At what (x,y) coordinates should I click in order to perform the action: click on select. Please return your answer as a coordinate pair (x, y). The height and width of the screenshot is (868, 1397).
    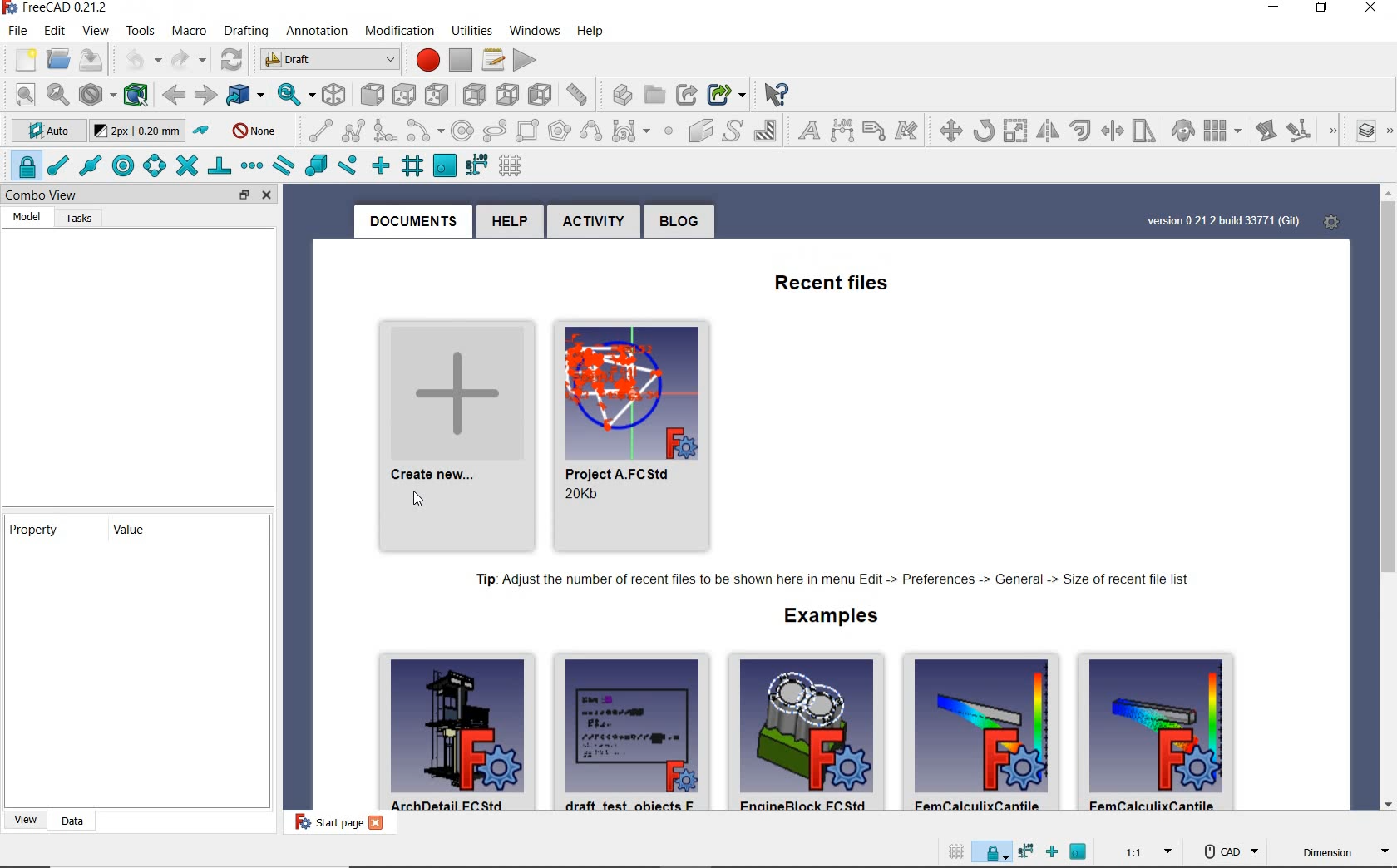
    Looking at the image, I should click on (783, 93).